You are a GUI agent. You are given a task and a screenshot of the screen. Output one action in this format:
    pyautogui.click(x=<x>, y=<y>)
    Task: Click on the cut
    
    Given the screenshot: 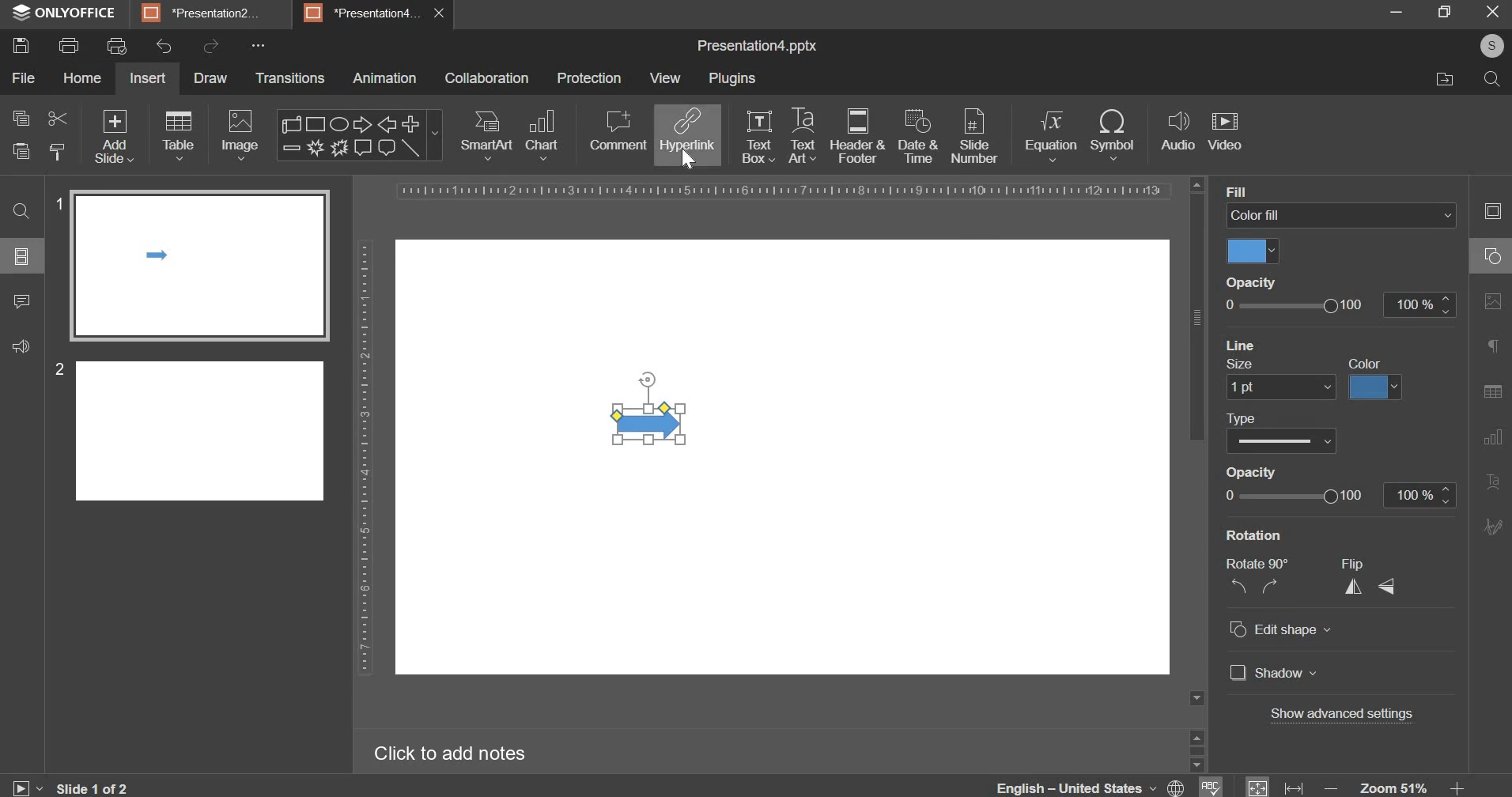 What is the action you would take?
    pyautogui.click(x=55, y=117)
    